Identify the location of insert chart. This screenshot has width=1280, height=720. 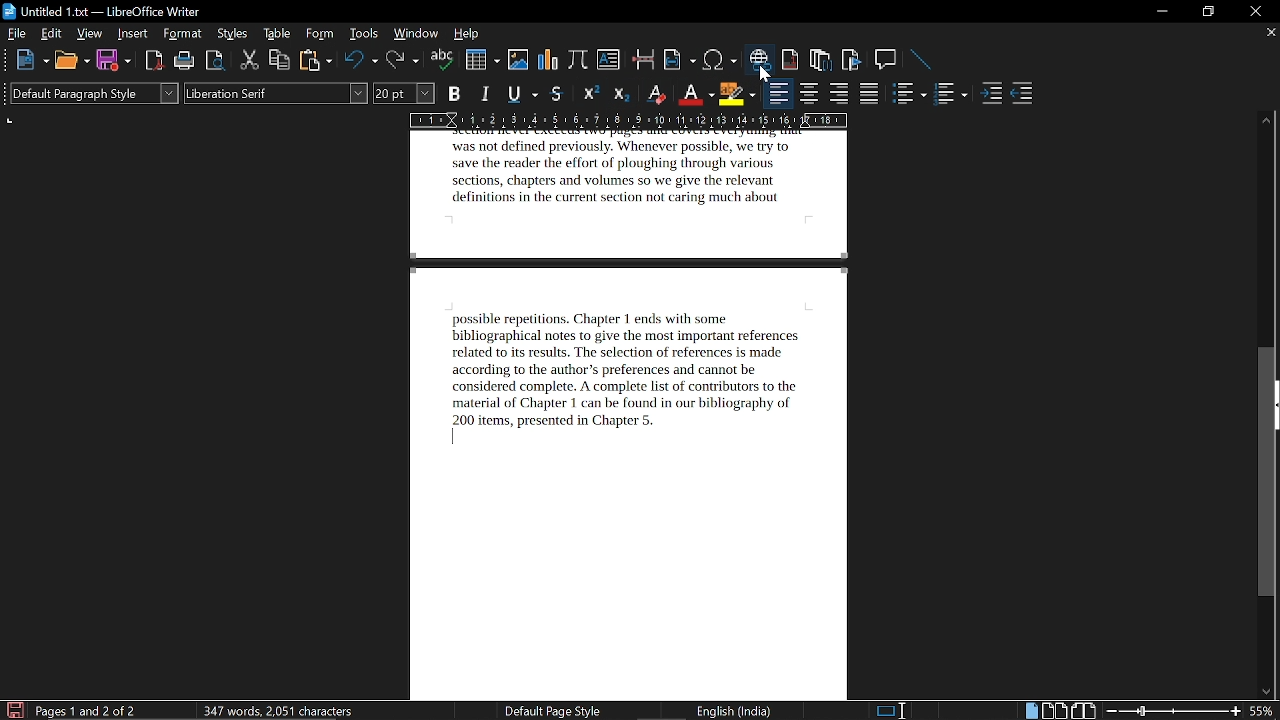
(549, 62).